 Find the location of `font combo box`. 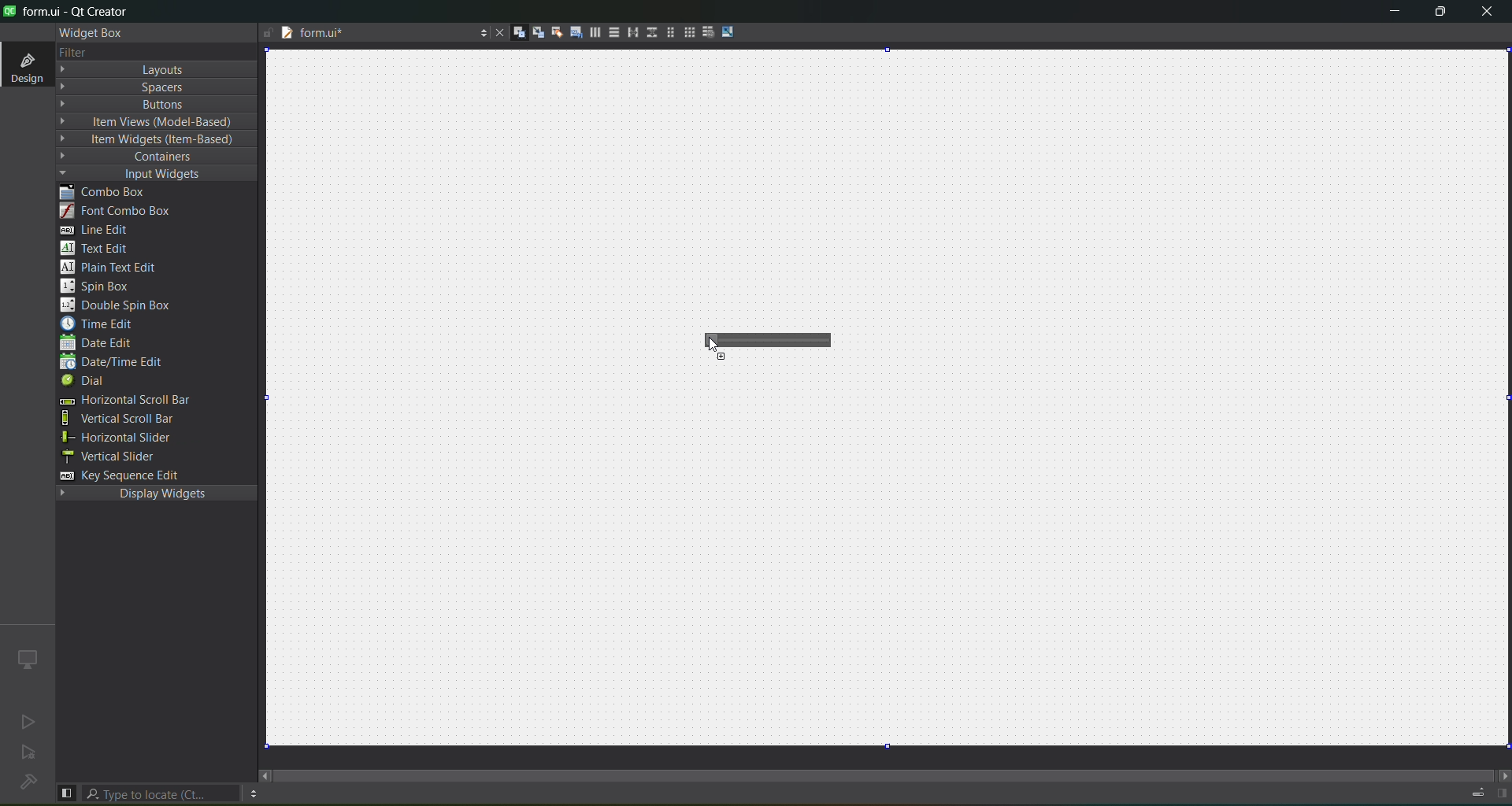

font combo box is located at coordinates (116, 210).